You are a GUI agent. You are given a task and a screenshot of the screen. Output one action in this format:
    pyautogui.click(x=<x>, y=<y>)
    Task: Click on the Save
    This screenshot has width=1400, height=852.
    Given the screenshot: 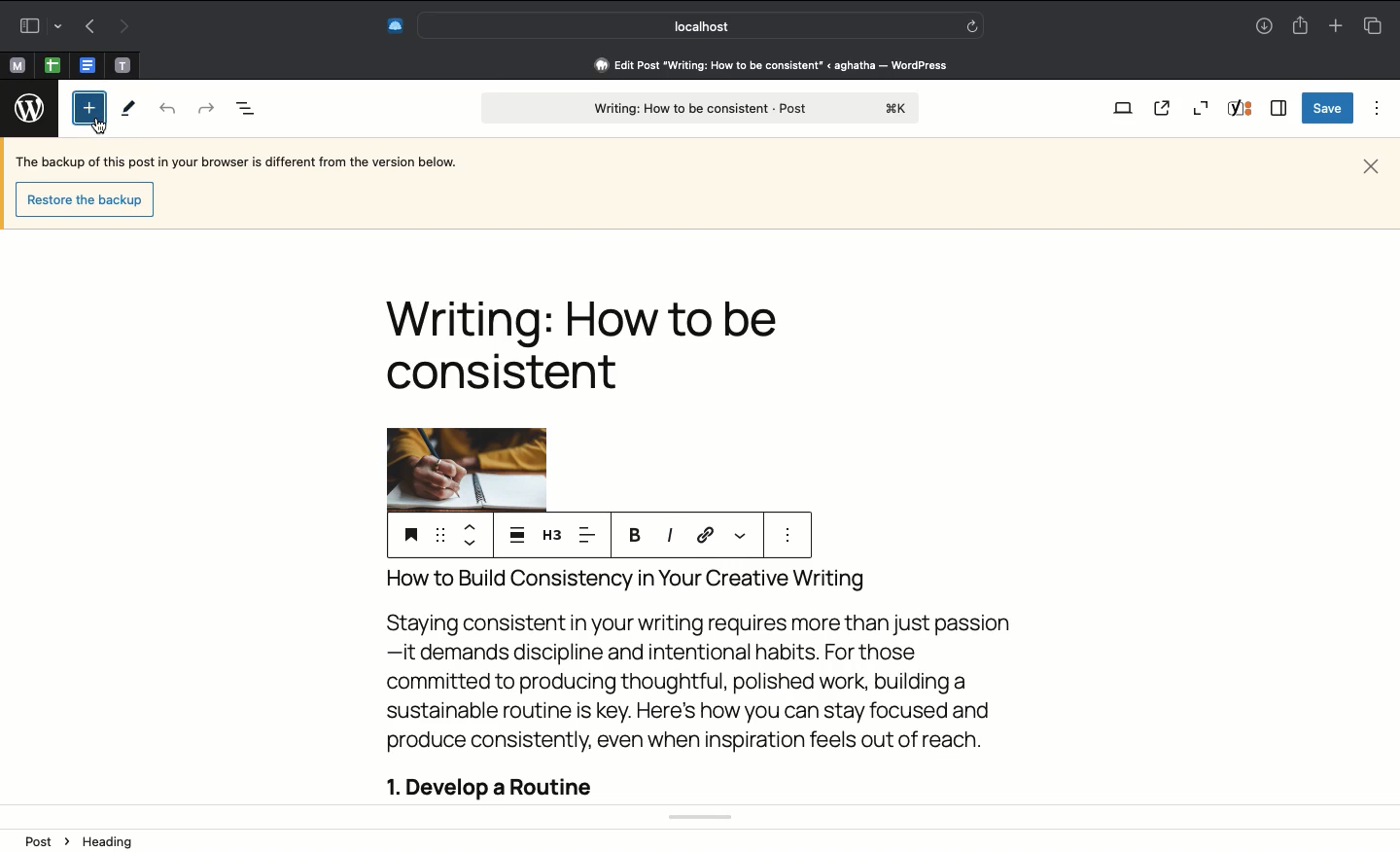 What is the action you would take?
    pyautogui.click(x=411, y=534)
    